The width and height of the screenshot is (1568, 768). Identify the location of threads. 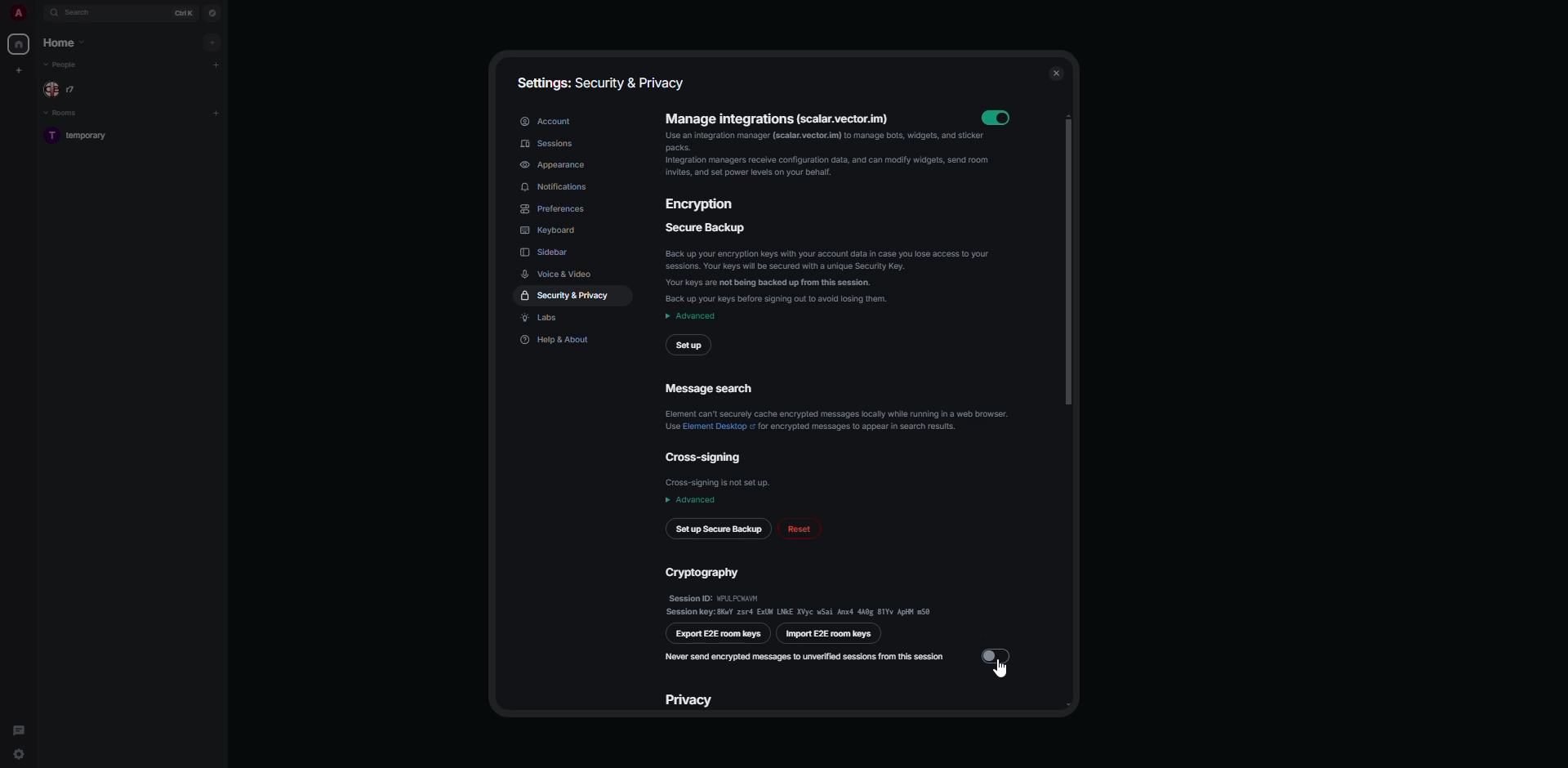
(20, 726).